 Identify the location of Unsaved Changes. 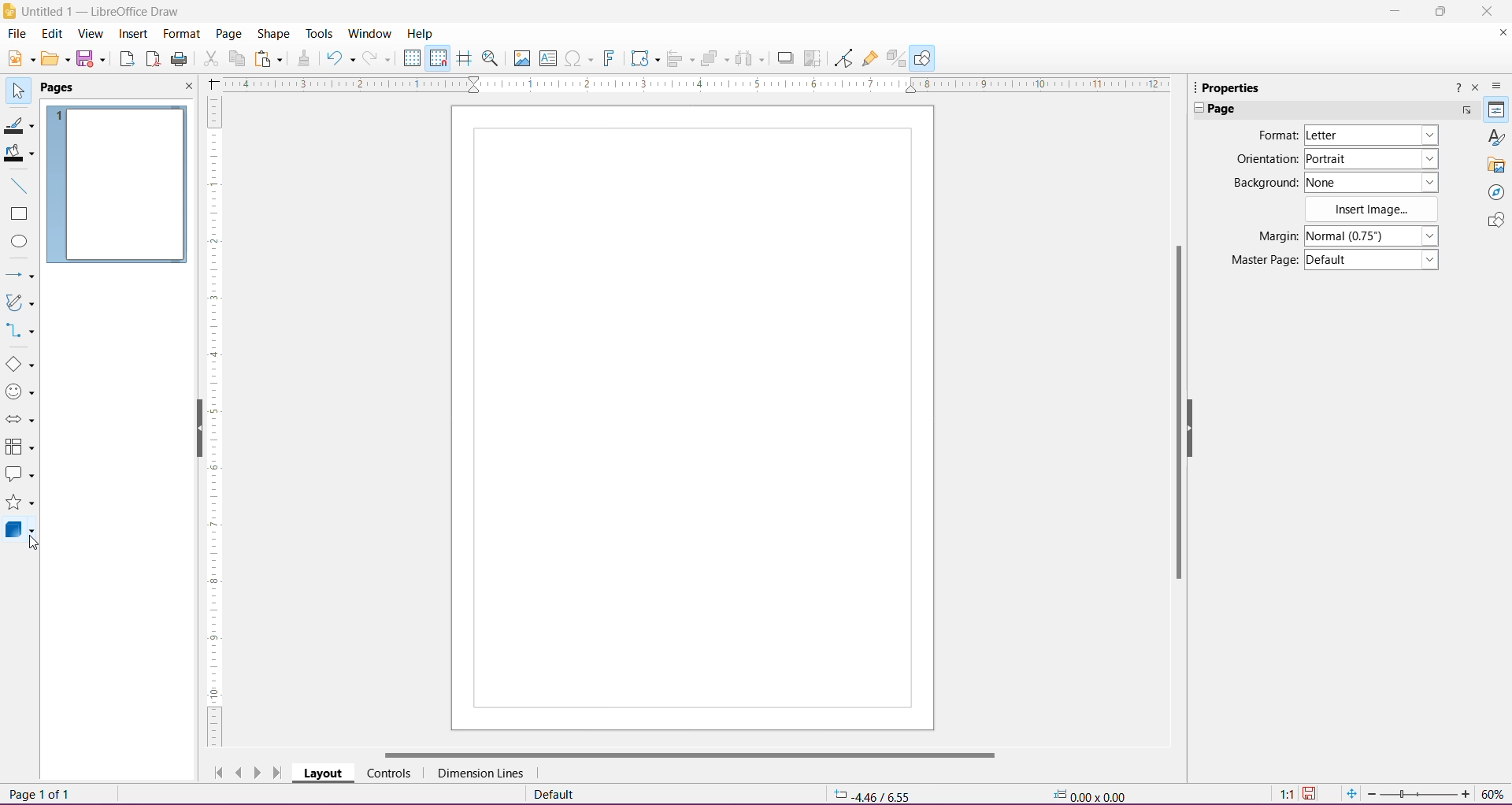
(1311, 795).